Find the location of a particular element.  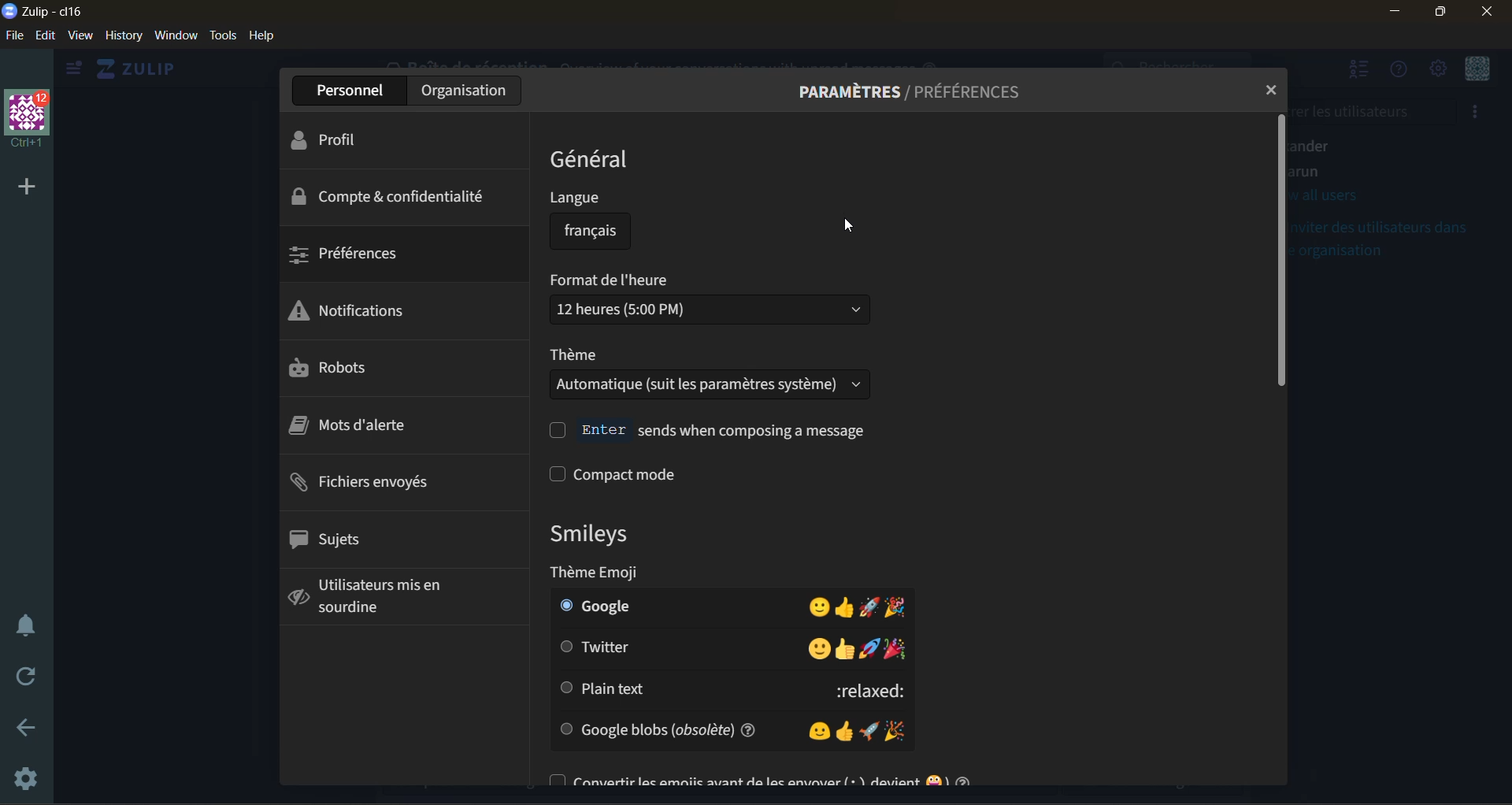

cursor is located at coordinates (848, 224).